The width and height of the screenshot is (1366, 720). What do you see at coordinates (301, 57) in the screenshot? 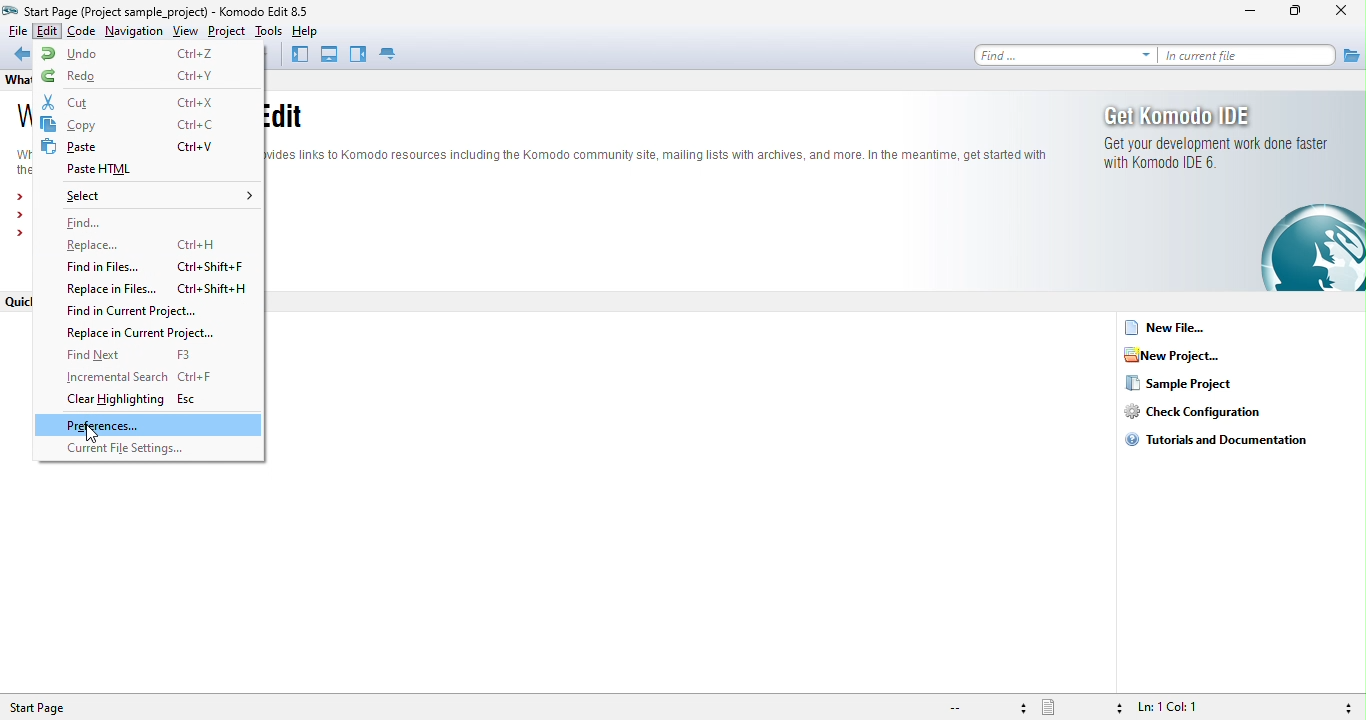
I see `left pane` at bounding box center [301, 57].